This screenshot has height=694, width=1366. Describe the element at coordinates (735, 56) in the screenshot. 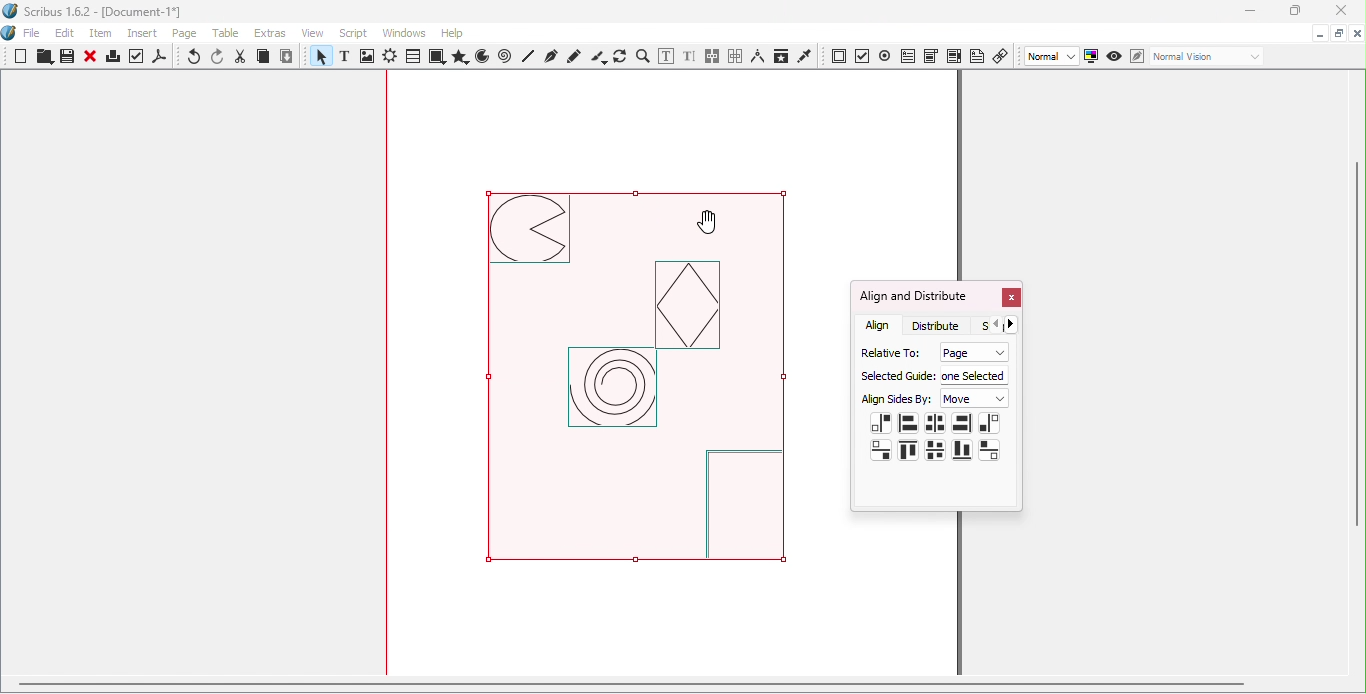

I see `Unlink text frames` at that location.